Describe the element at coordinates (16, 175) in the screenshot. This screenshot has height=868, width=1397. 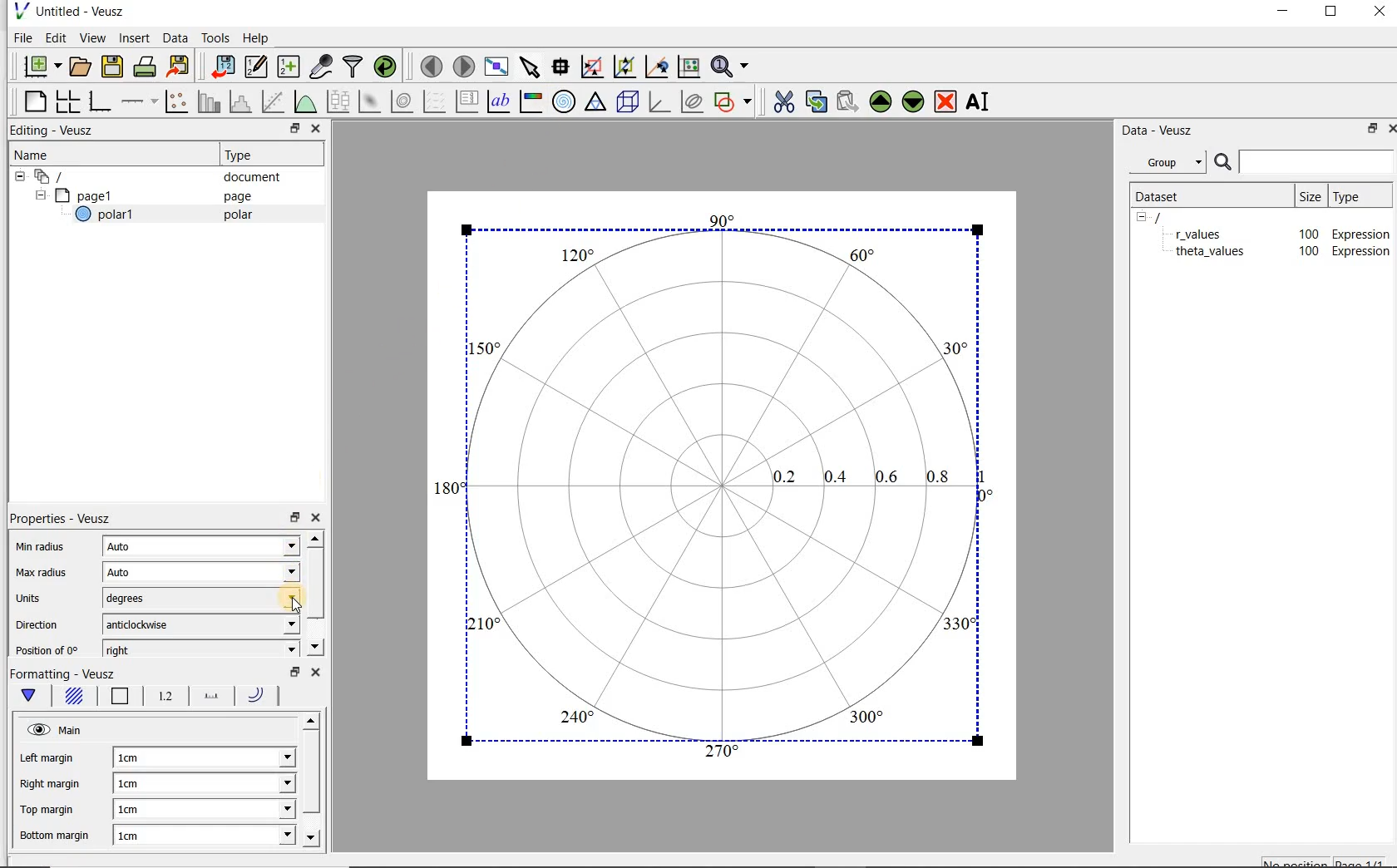
I see `hide sub menu` at that location.